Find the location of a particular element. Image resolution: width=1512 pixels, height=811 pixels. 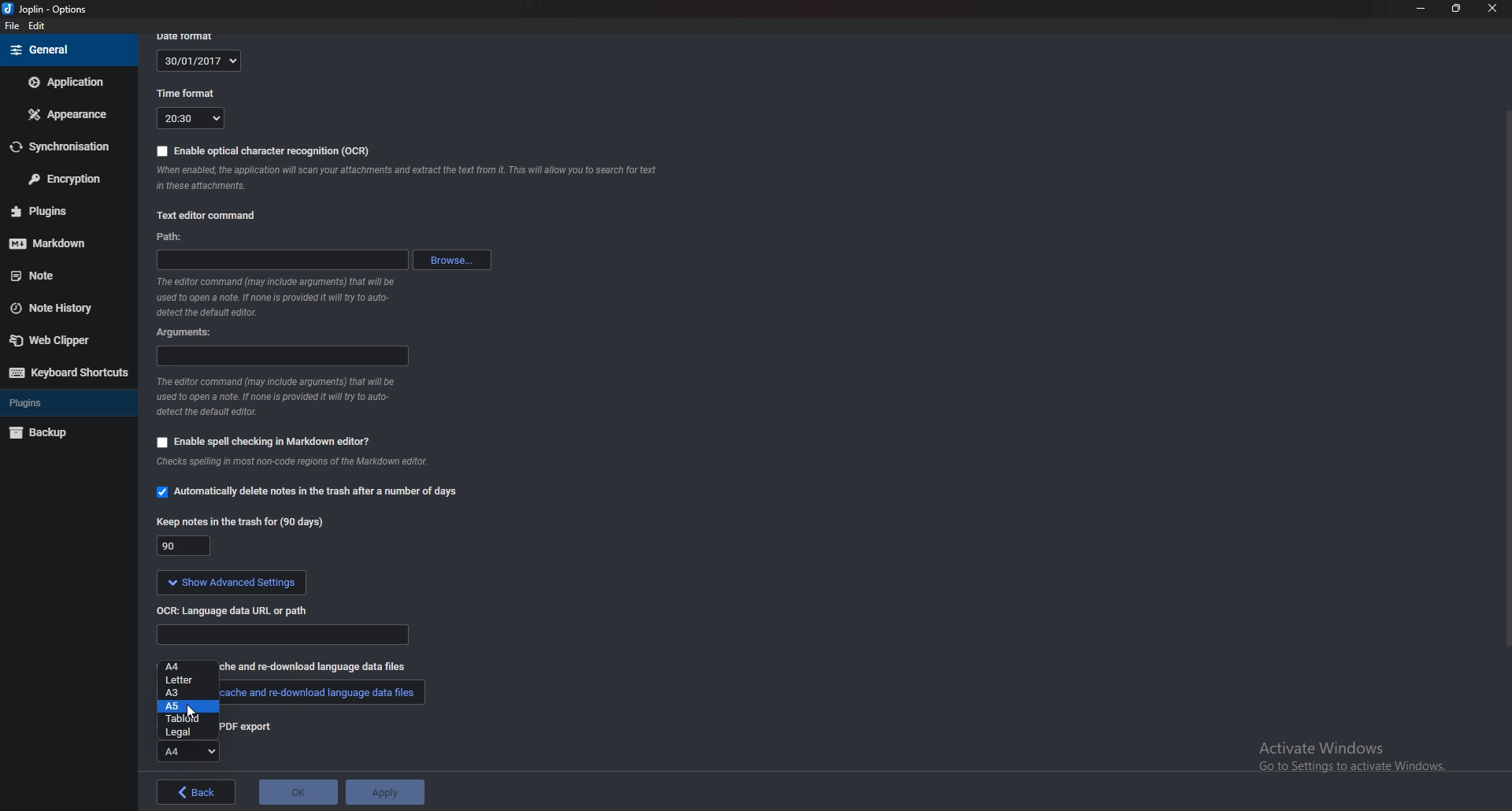

ok is located at coordinates (298, 793).